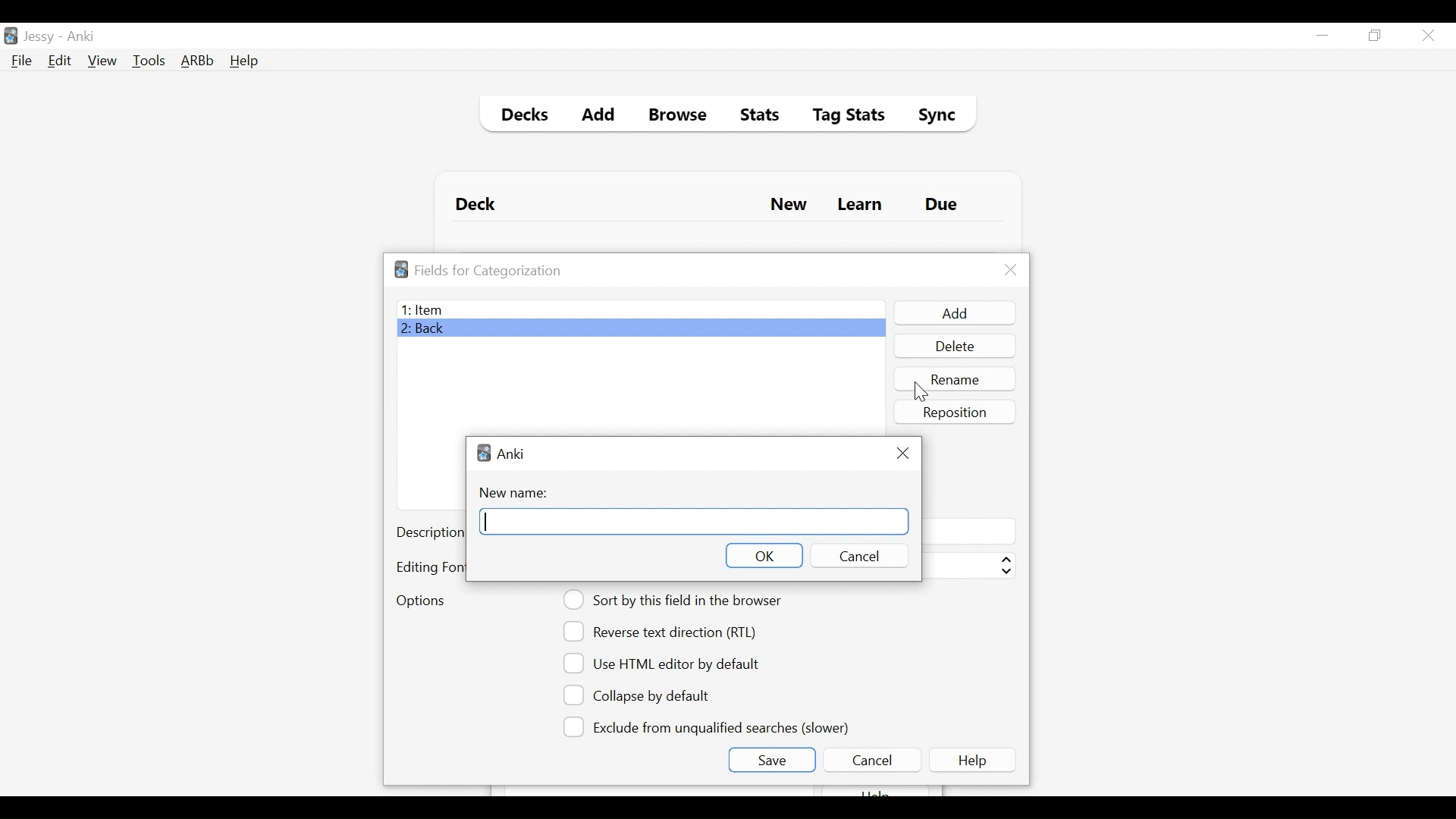  I want to click on Editing Font, so click(429, 567).